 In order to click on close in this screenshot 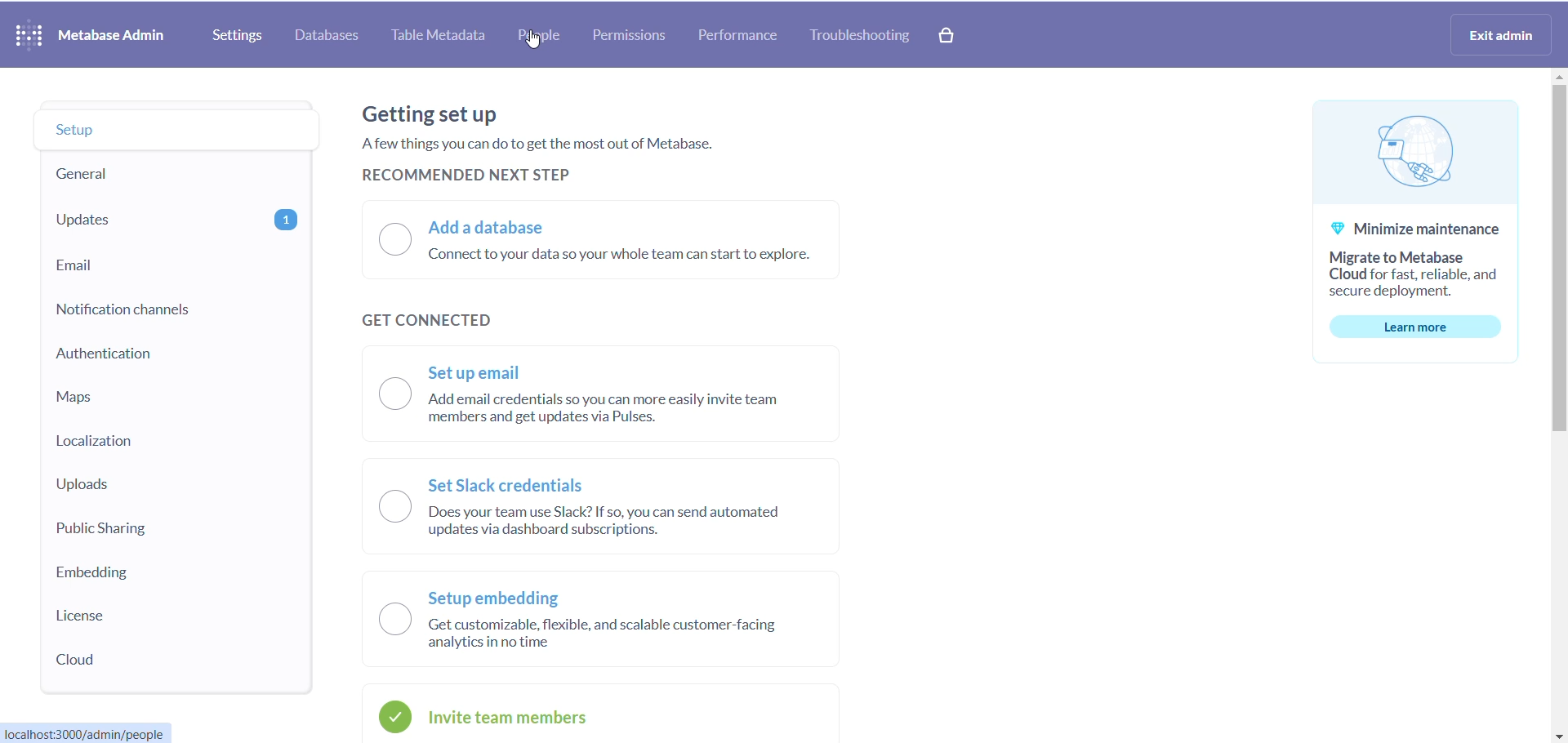, I will do `click(1558, 78)`.